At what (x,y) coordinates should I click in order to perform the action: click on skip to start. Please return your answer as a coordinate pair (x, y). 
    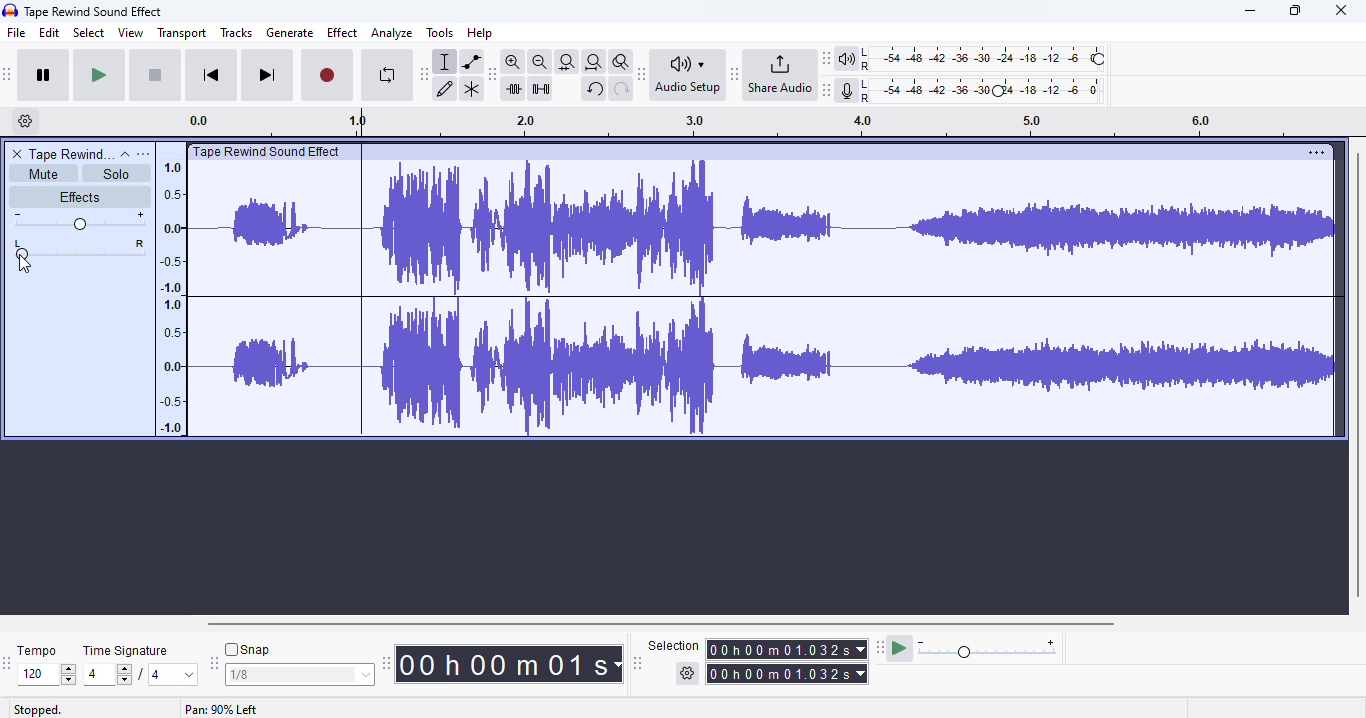
    Looking at the image, I should click on (213, 74).